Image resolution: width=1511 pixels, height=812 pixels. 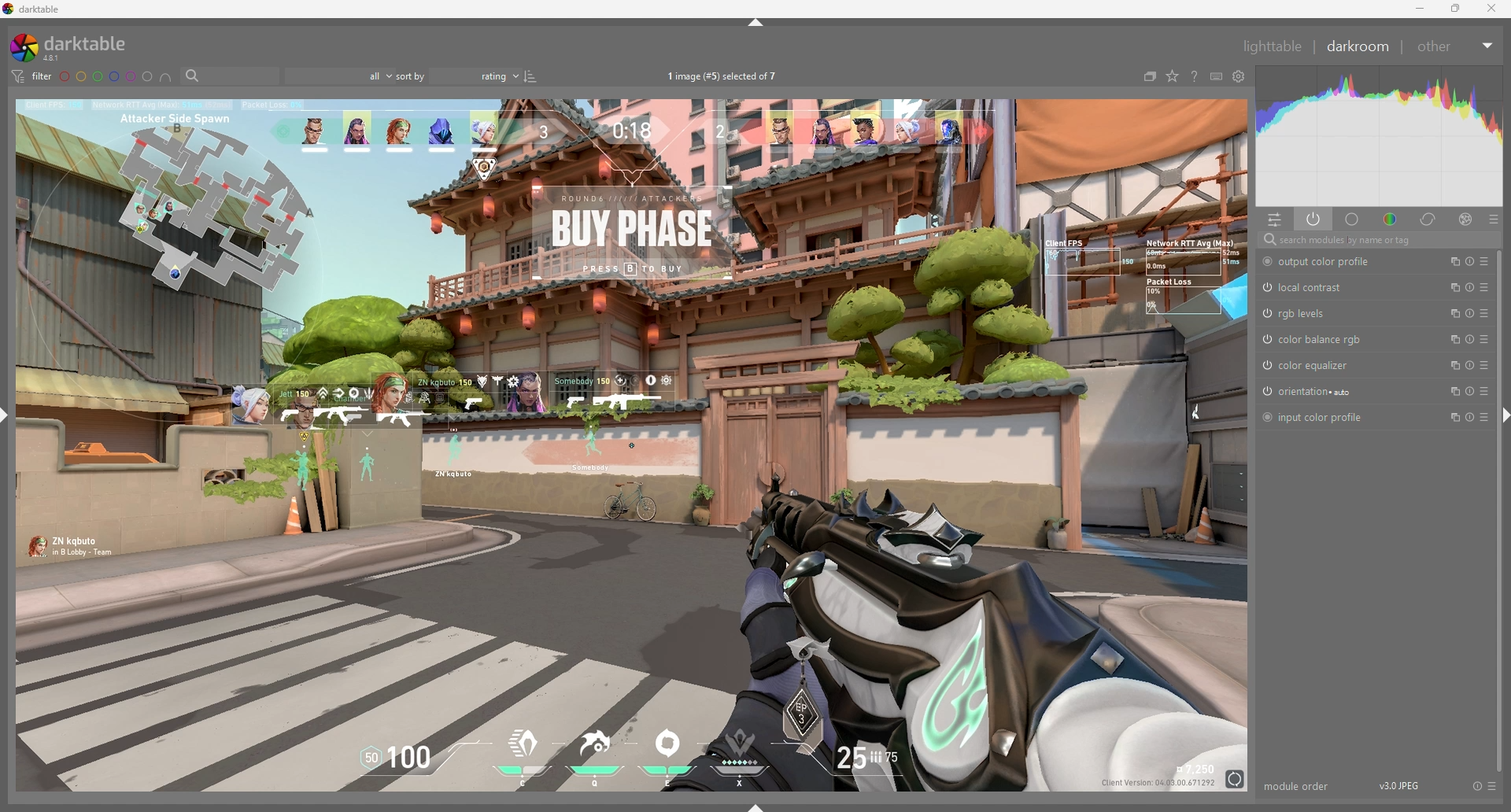 I want to click on correct, so click(x=1429, y=219).